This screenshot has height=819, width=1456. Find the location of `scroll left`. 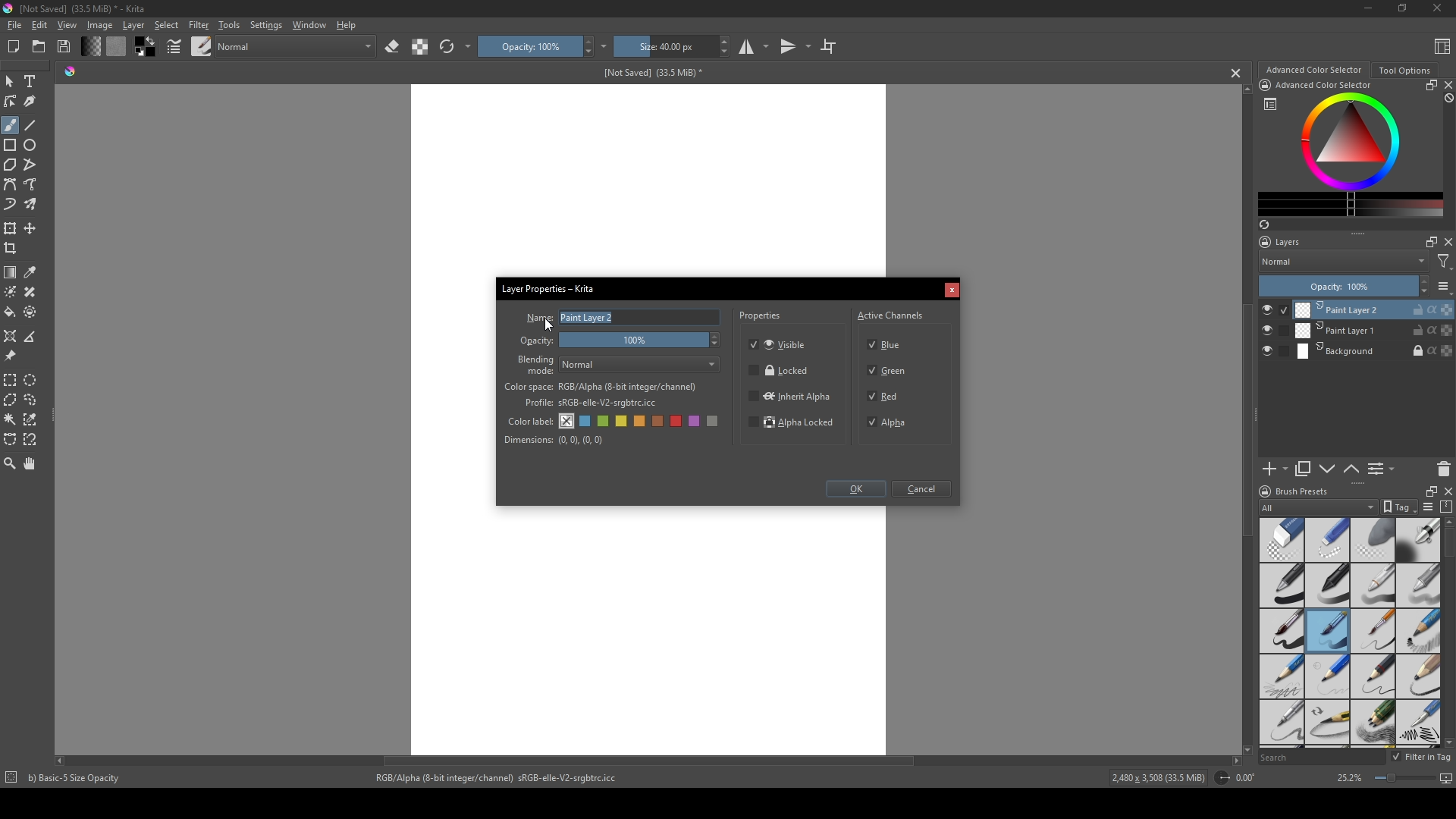

scroll left is located at coordinates (63, 761).